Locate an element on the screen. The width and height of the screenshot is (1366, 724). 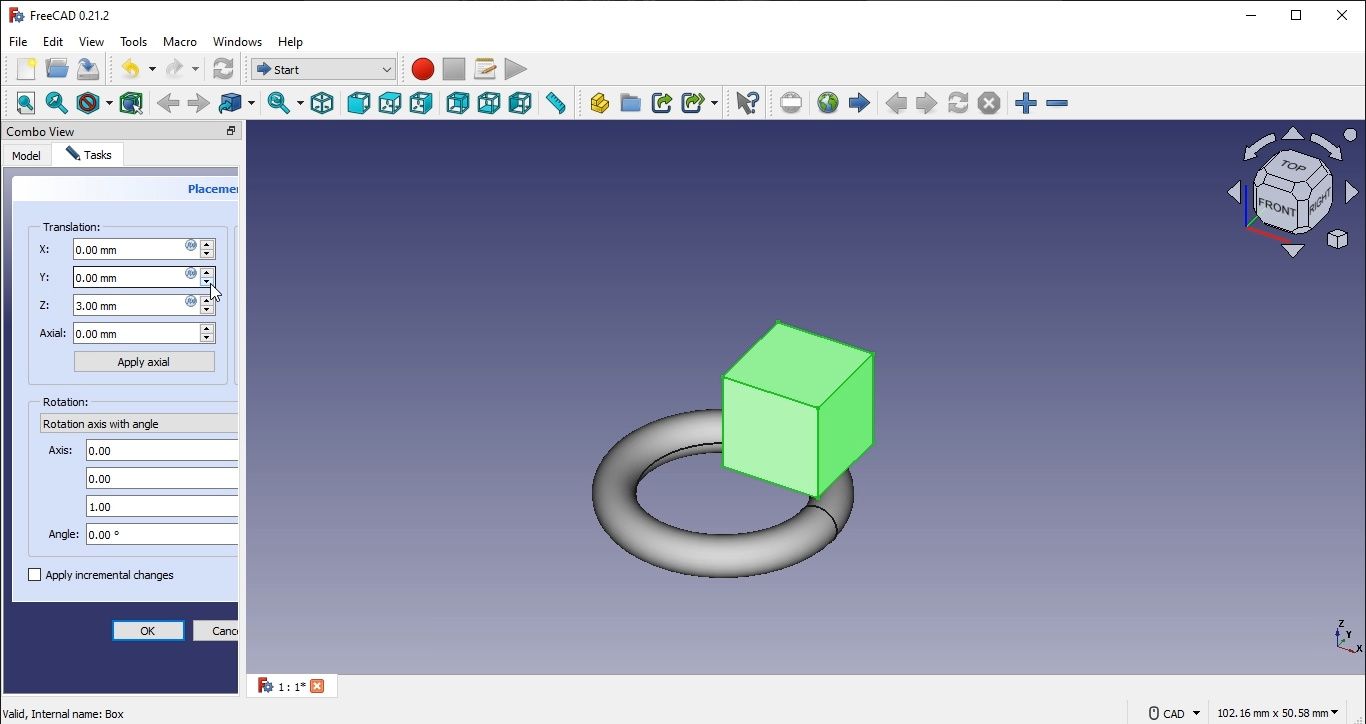
front is located at coordinates (357, 102).